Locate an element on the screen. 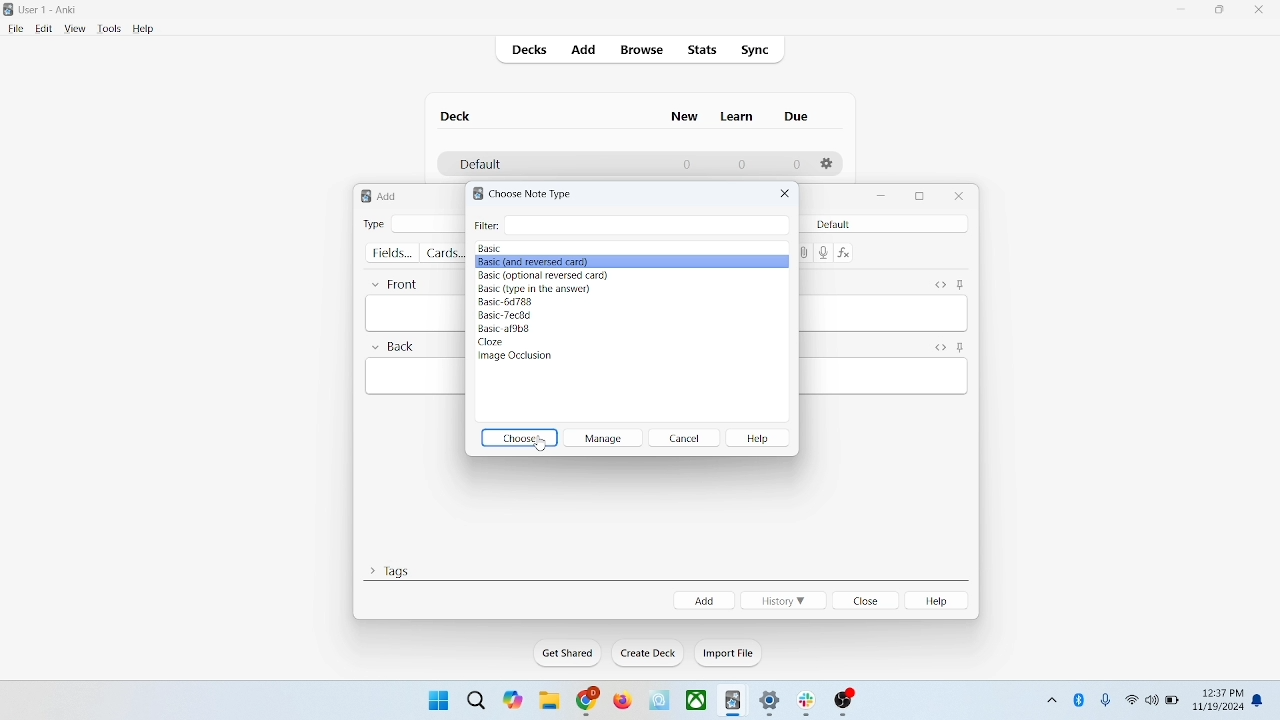 This screenshot has width=1280, height=720. cloze is located at coordinates (492, 343).